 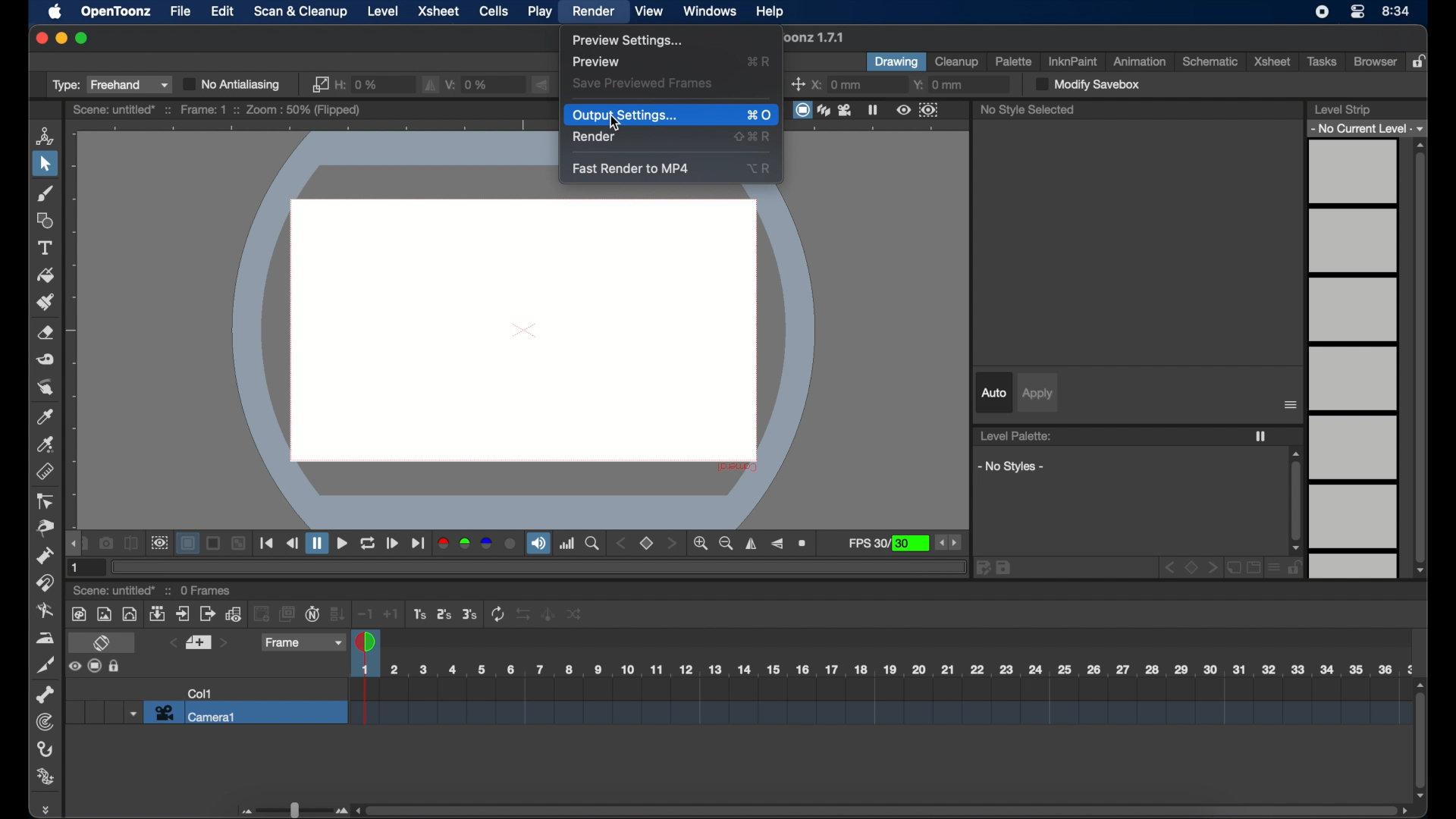 What do you see at coordinates (184, 615) in the screenshot?
I see `` at bounding box center [184, 615].